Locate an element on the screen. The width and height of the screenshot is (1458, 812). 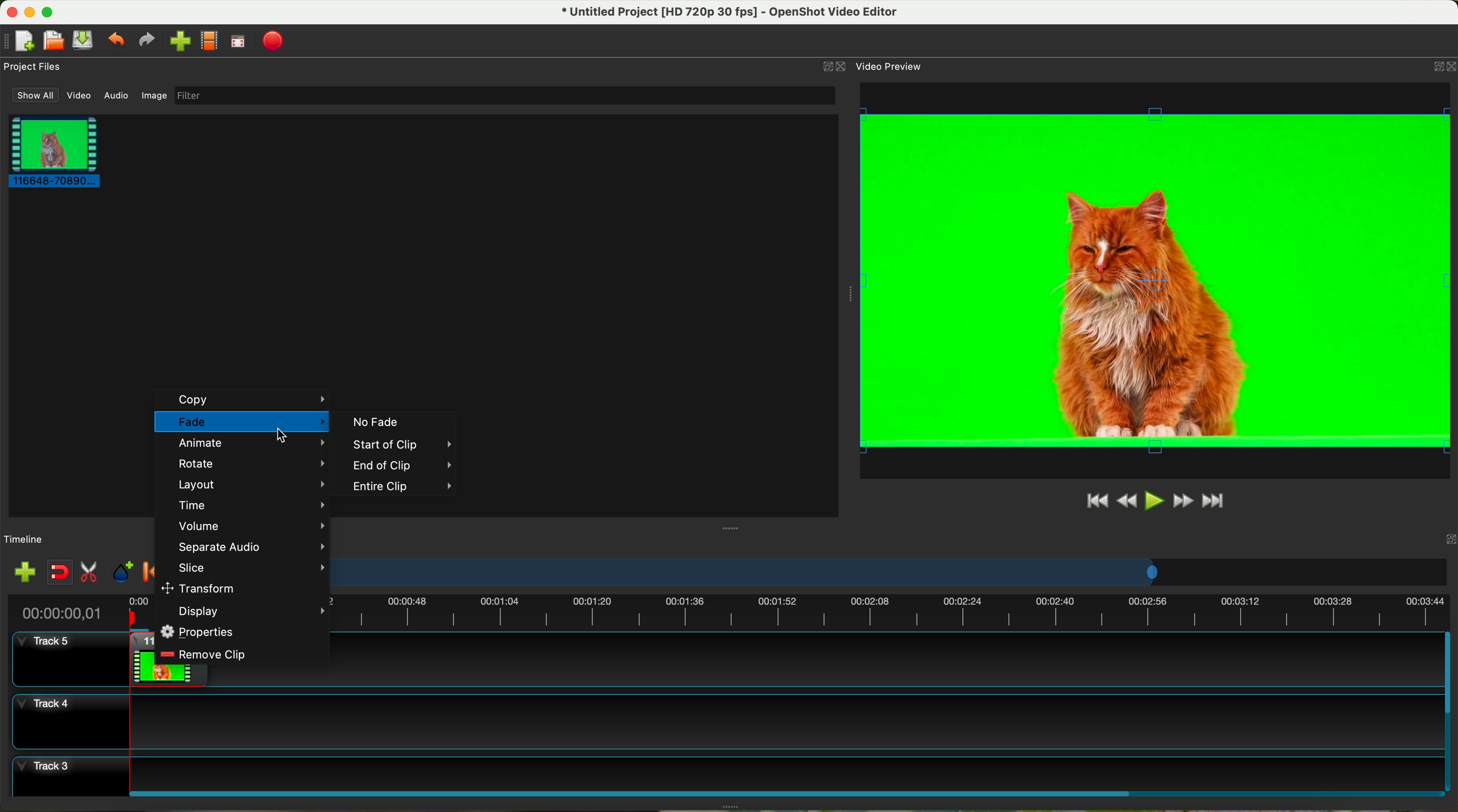
separate audio is located at coordinates (250, 547).